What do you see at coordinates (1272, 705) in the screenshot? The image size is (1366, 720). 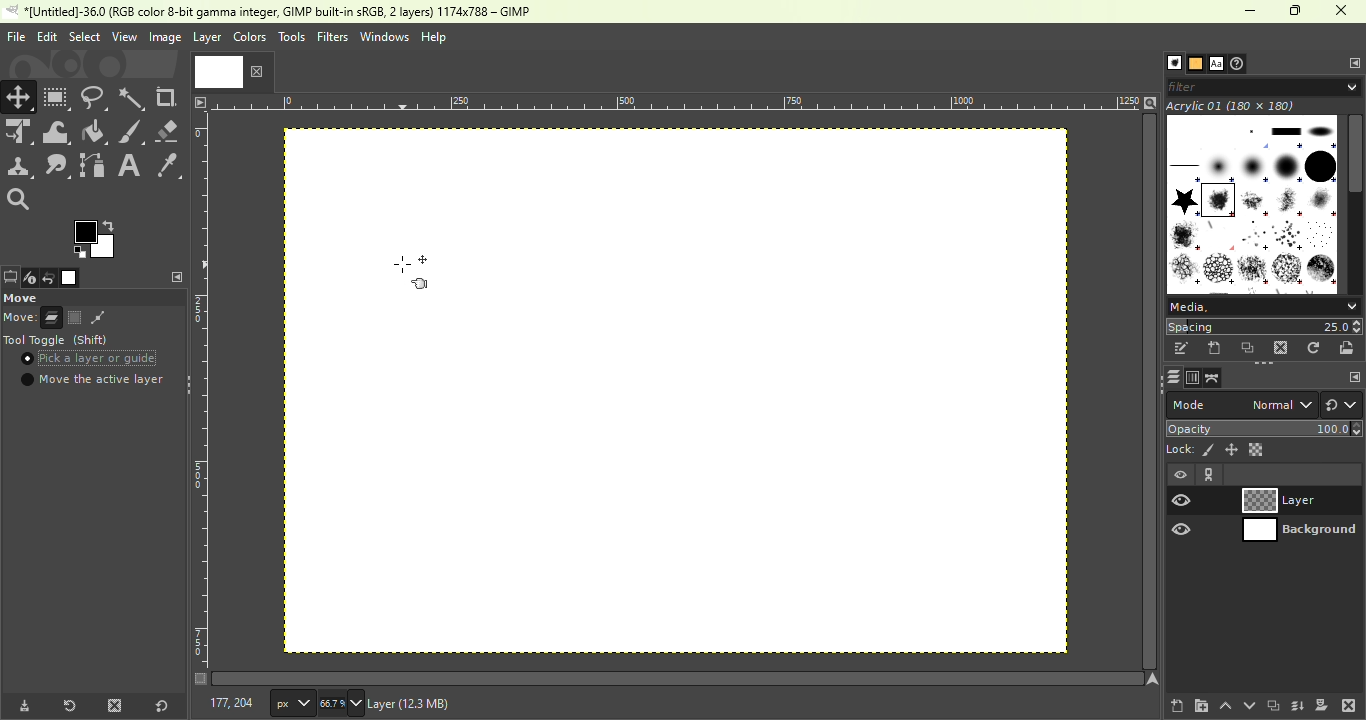 I see `Create a duplicate of the layer and add it to the image` at bounding box center [1272, 705].